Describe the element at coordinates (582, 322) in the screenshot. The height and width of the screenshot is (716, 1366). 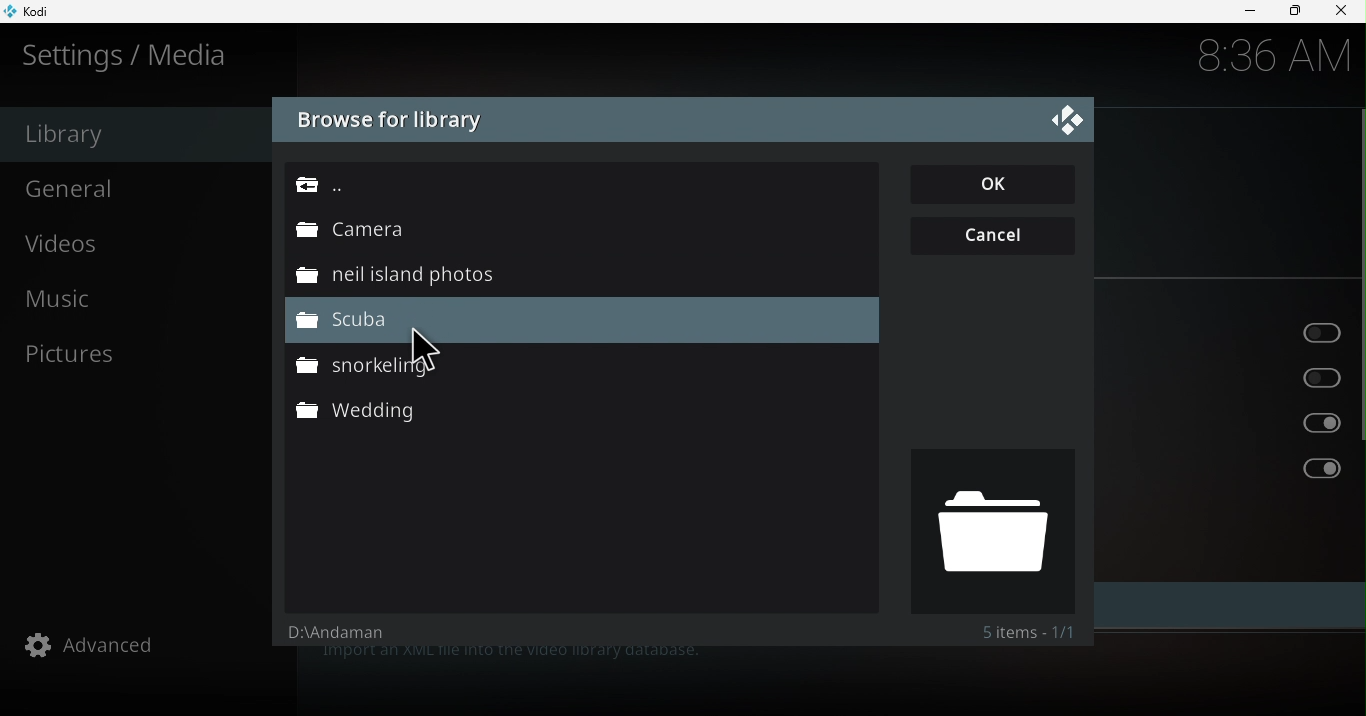
I see `Scuba` at that location.